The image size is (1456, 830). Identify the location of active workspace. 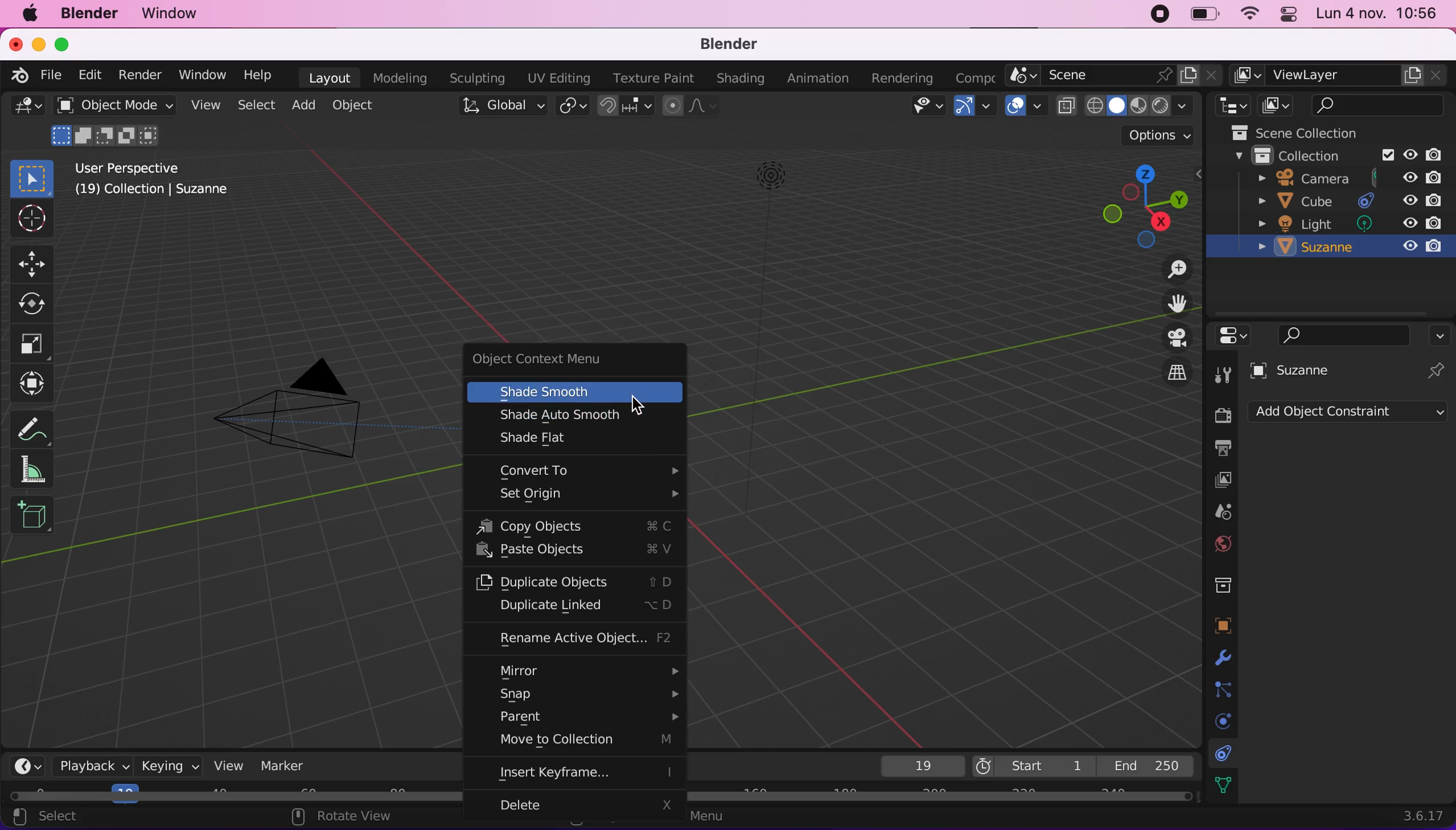
(976, 75).